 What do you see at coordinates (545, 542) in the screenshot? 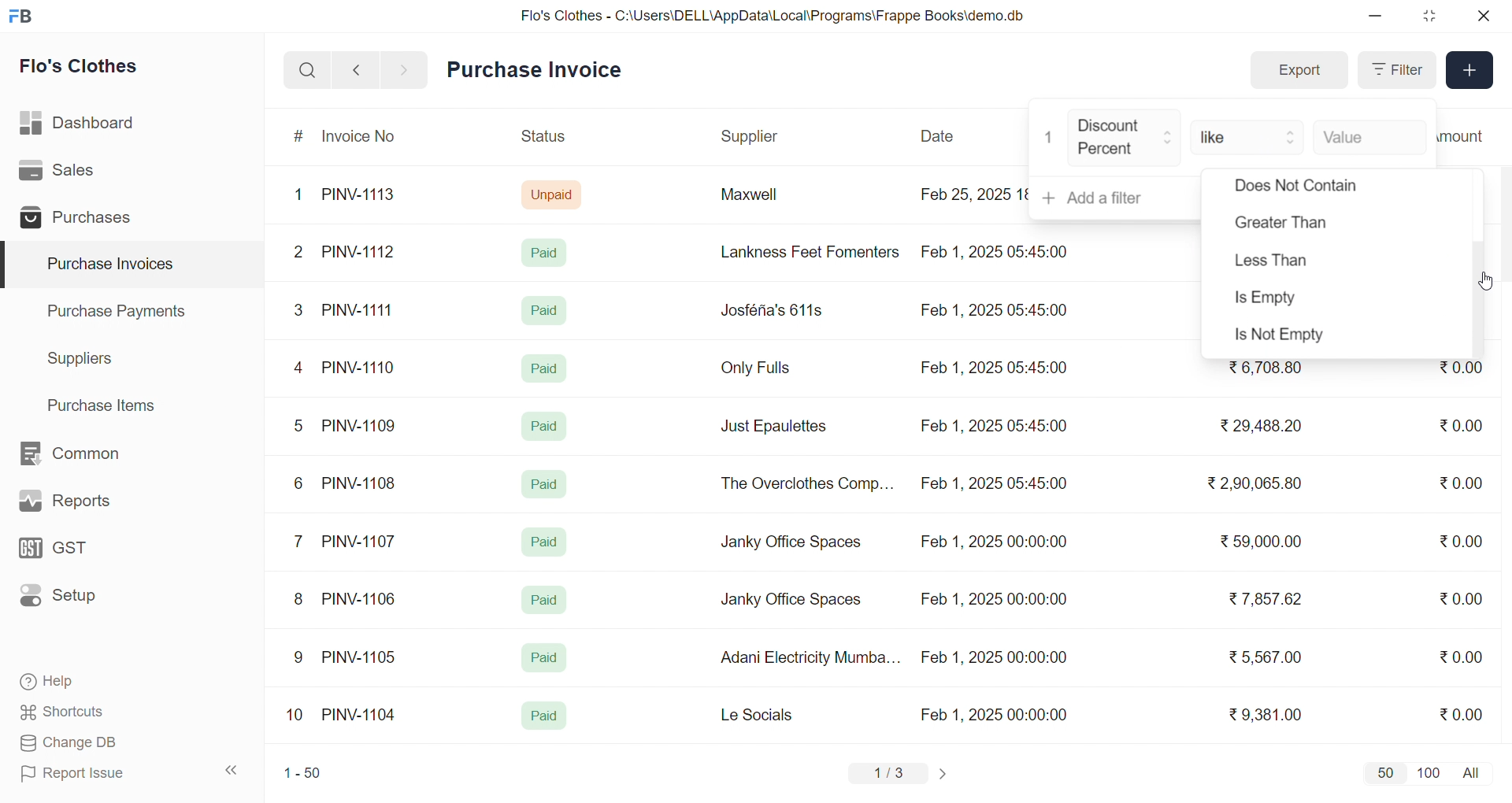
I see `Paid` at bounding box center [545, 542].